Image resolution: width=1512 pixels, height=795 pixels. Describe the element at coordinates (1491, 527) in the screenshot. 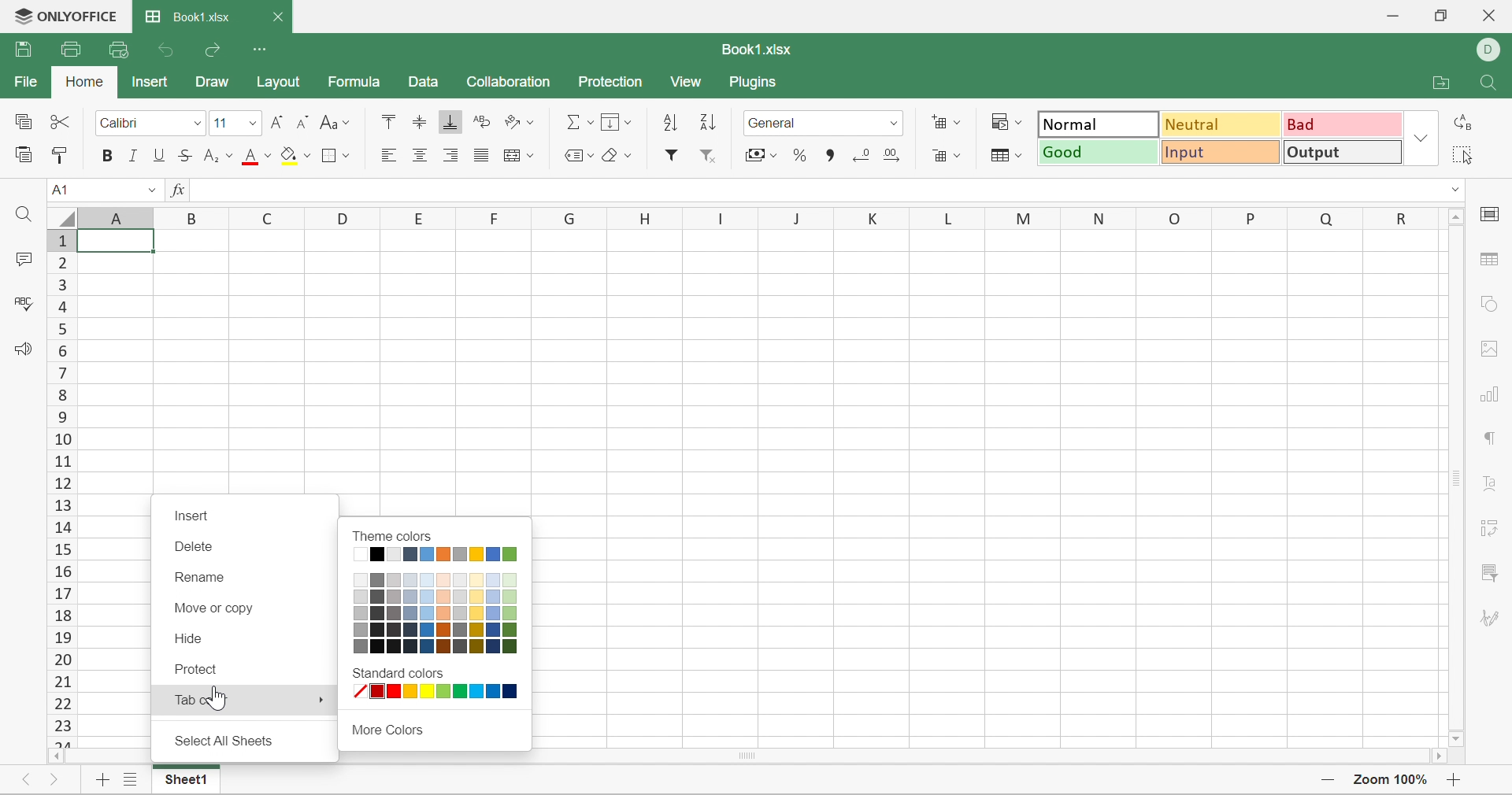

I see `Pivot table` at that location.